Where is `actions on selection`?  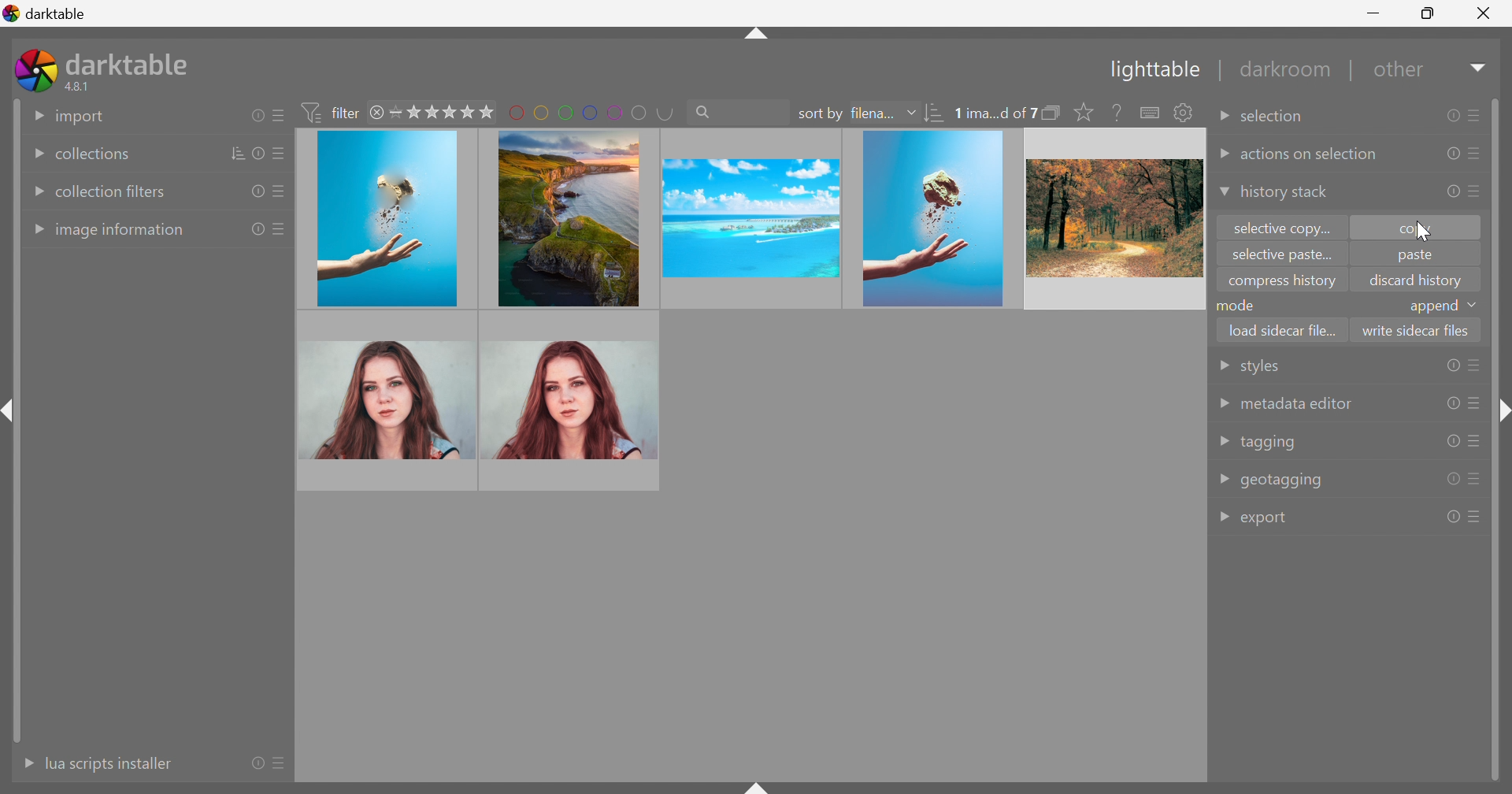 actions on selection is located at coordinates (1310, 155).